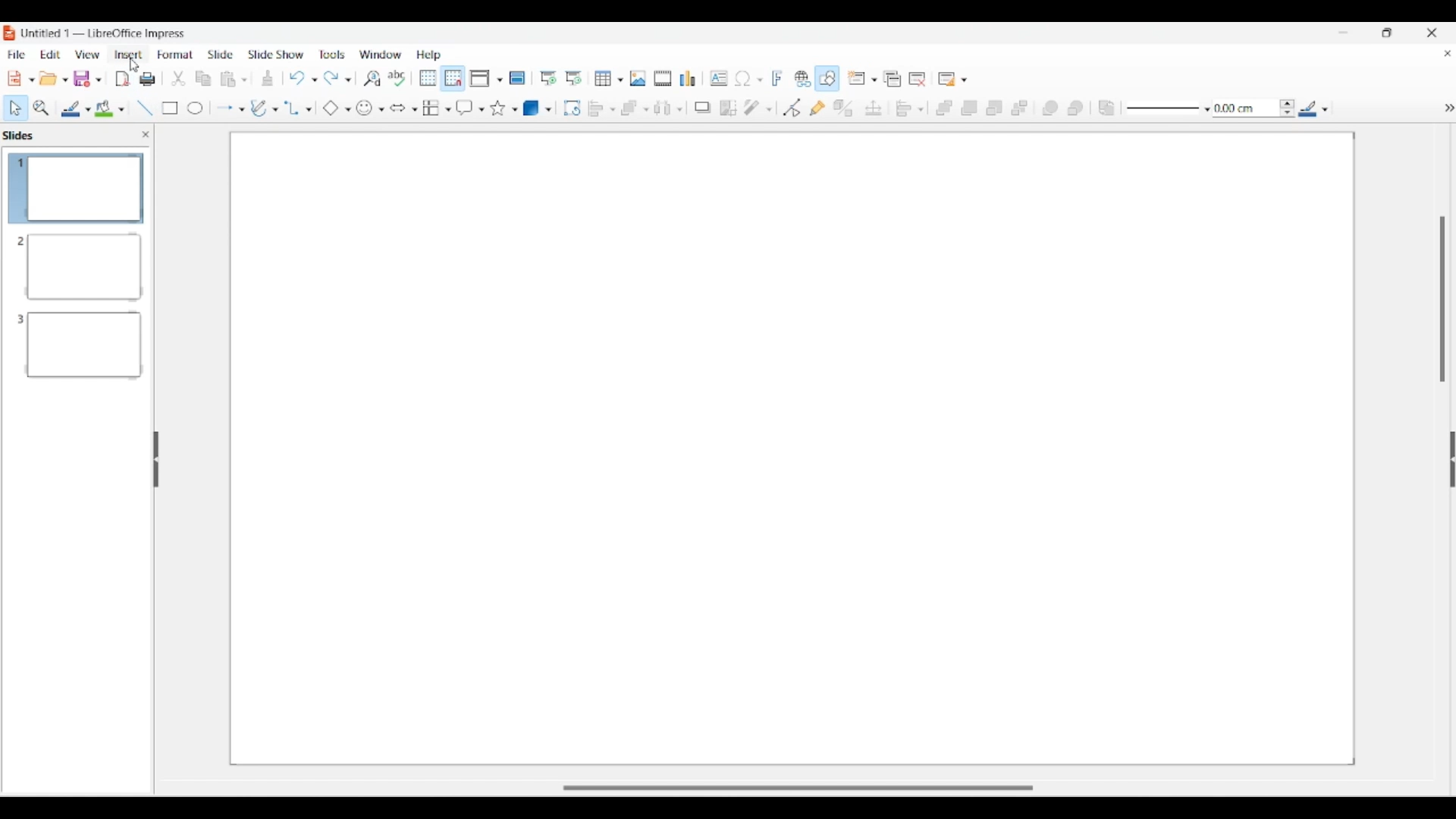 The width and height of the screenshot is (1456, 819). Describe the element at coordinates (88, 55) in the screenshot. I see `View menu` at that location.